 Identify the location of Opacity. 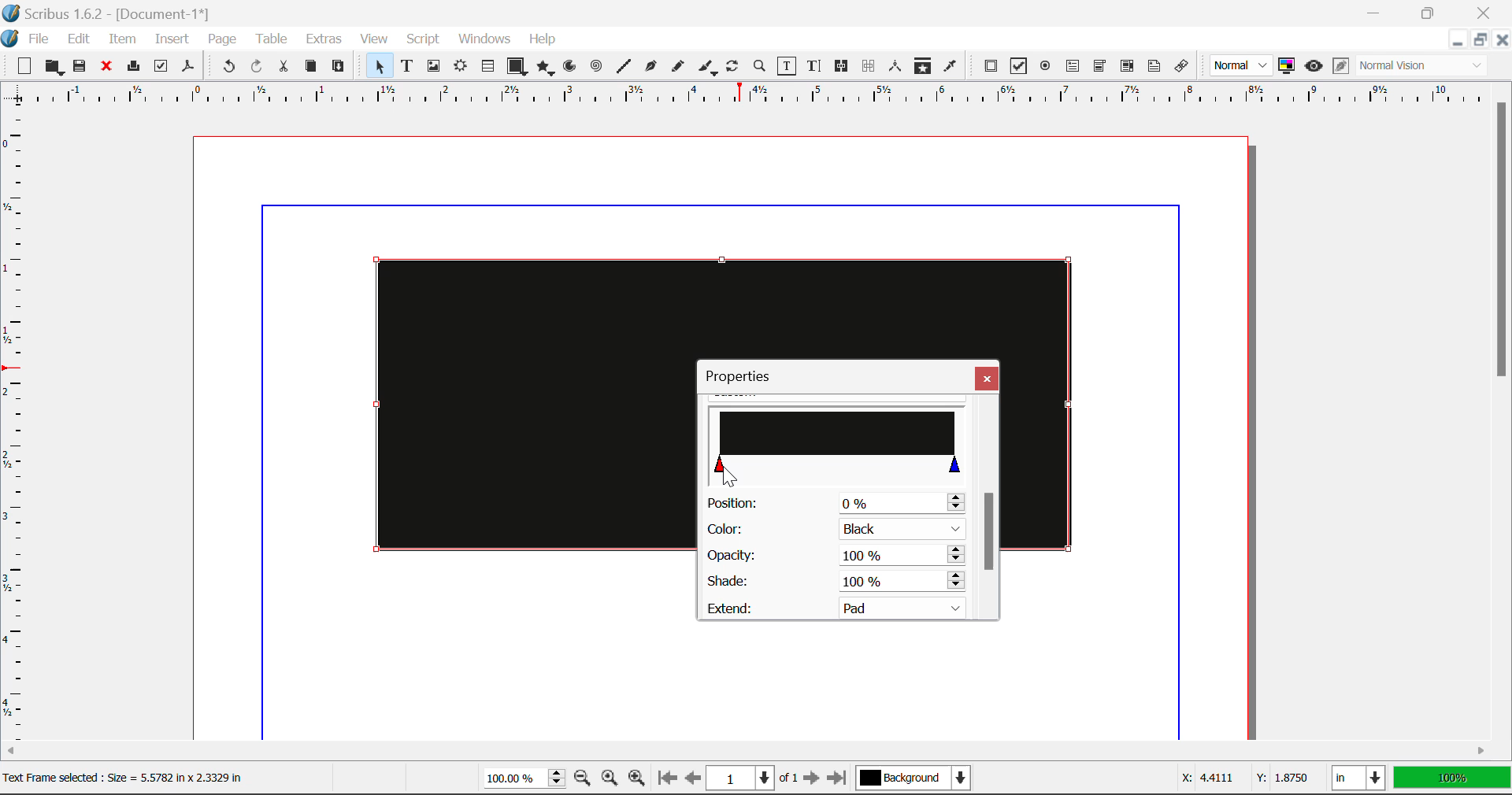
(835, 556).